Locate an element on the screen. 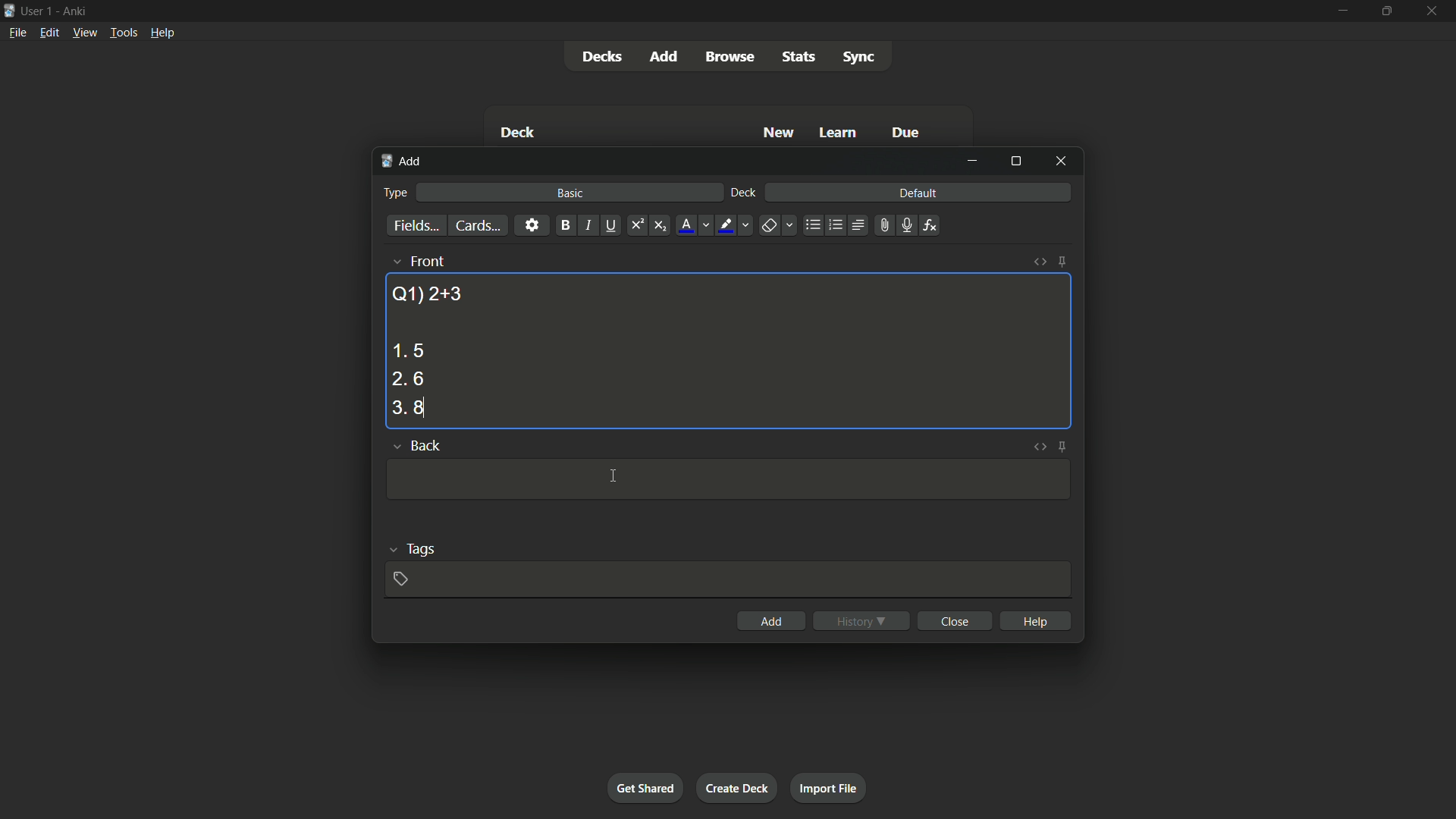 The image size is (1456, 819). toggle sticky is located at coordinates (1062, 262).